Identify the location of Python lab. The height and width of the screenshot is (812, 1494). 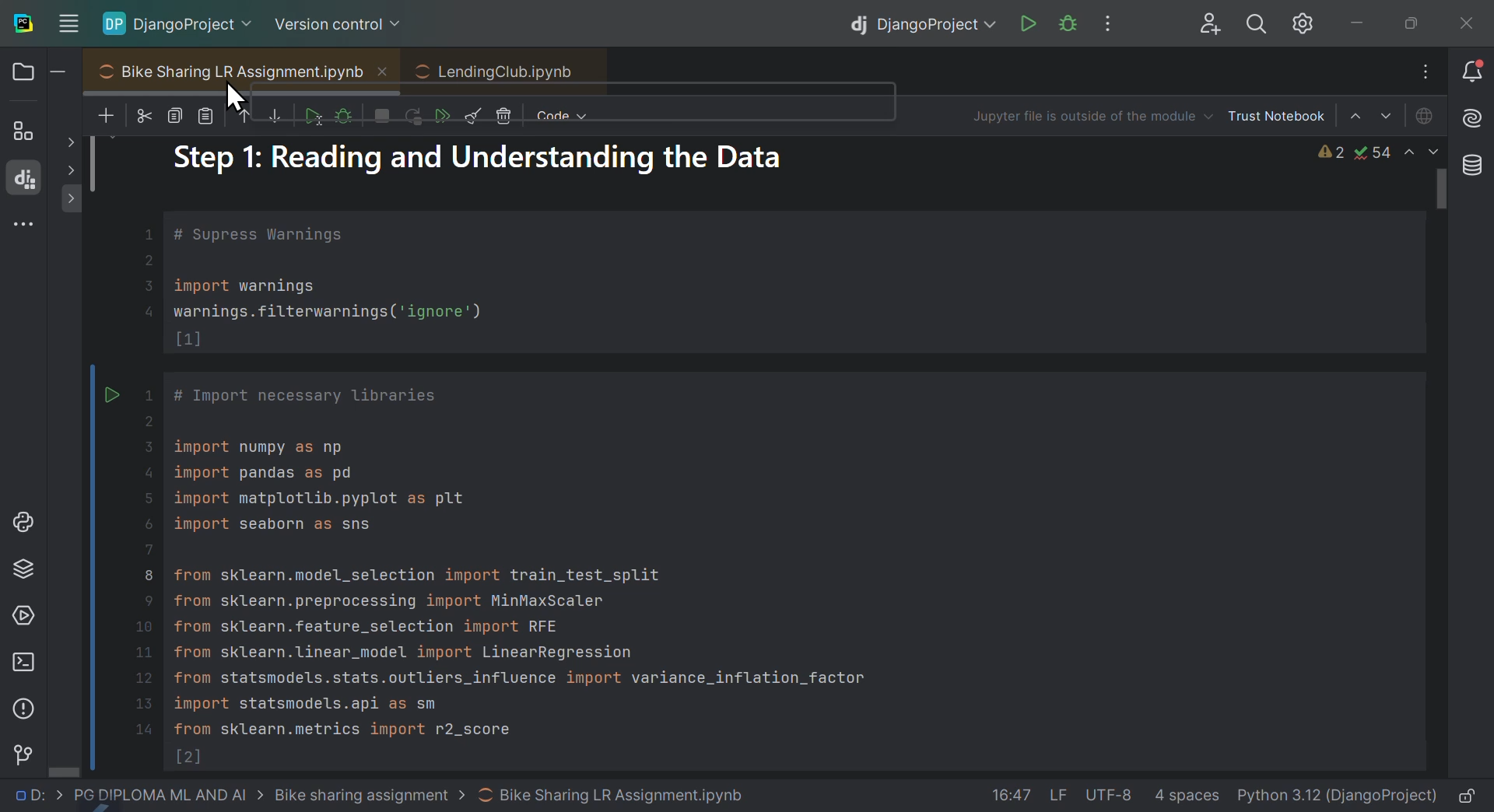
(30, 514).